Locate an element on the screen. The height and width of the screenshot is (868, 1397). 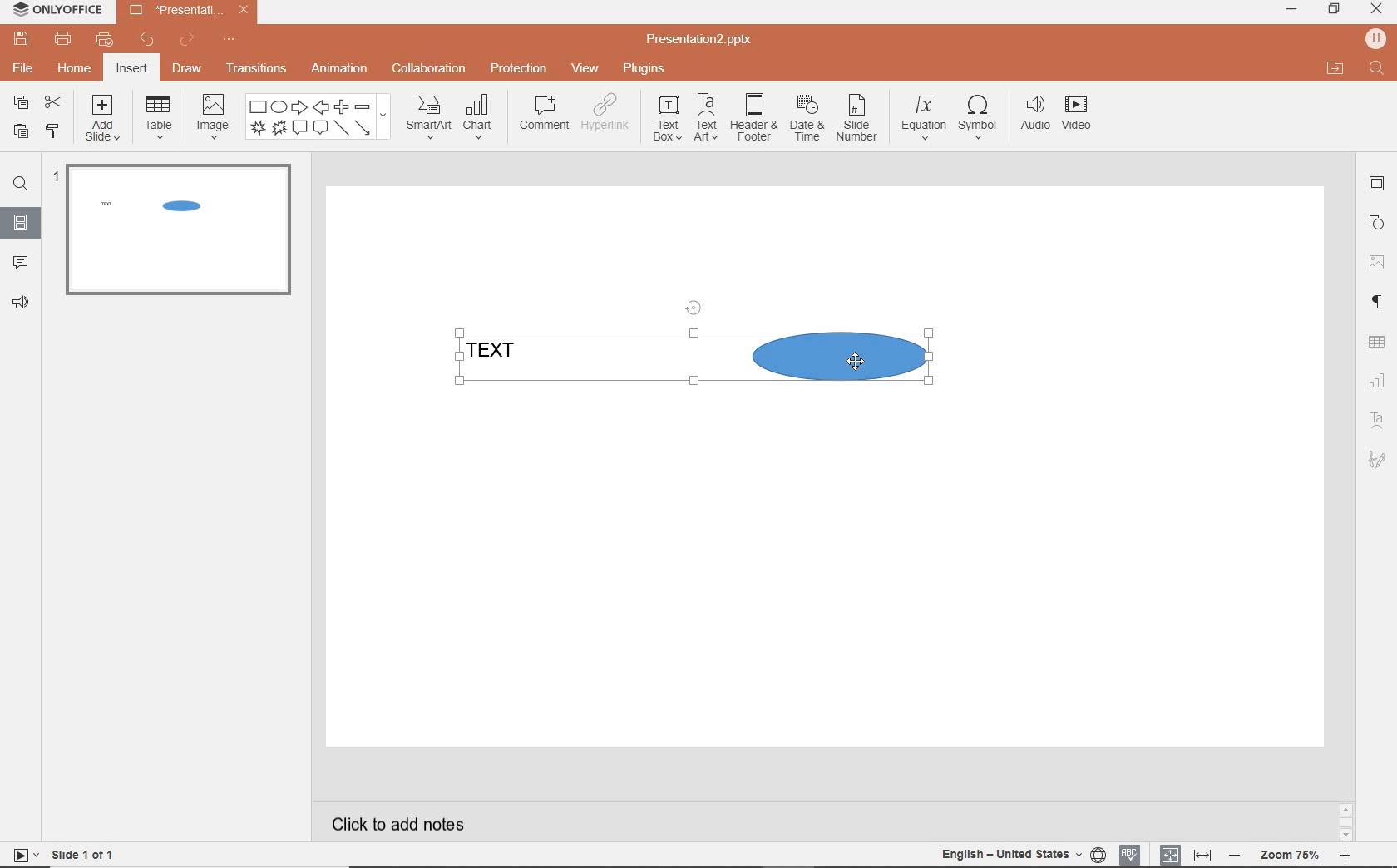
cut is located at coordinates (53, 104).